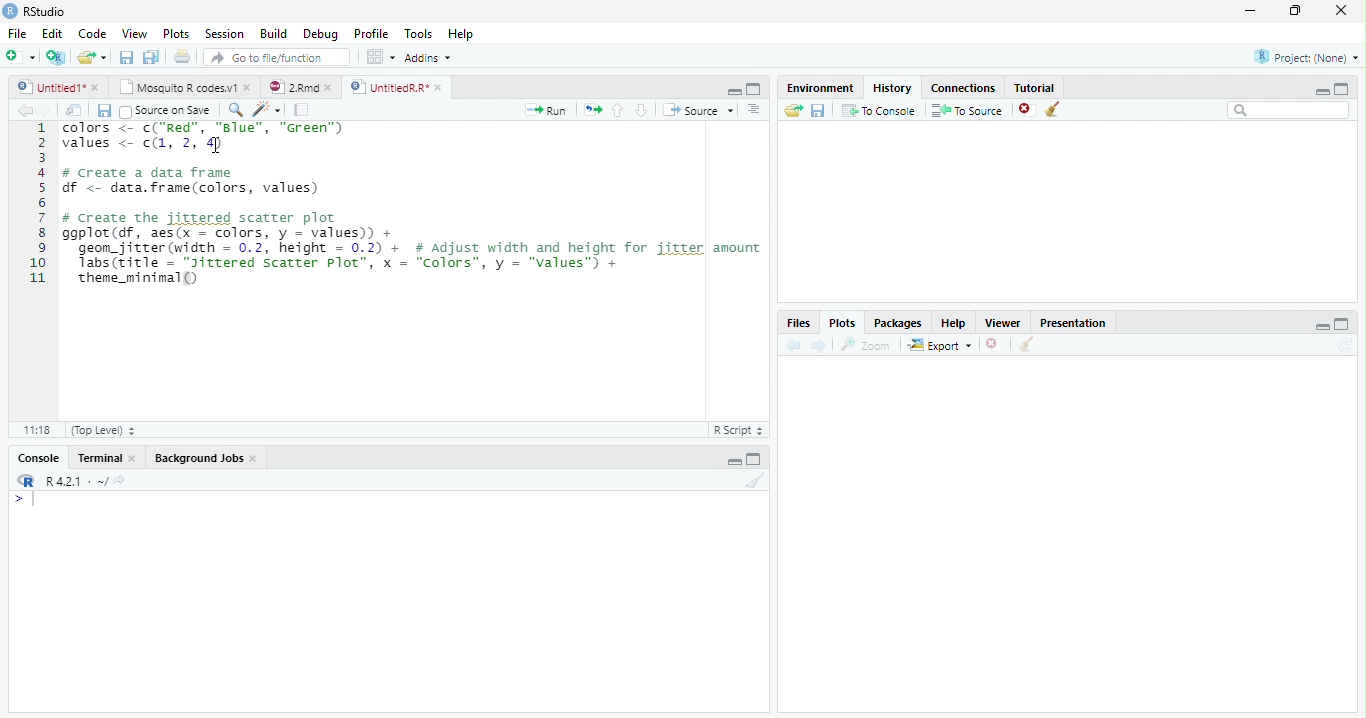 The image size is (1366, 718). I want to click on close, so click(95, 88).